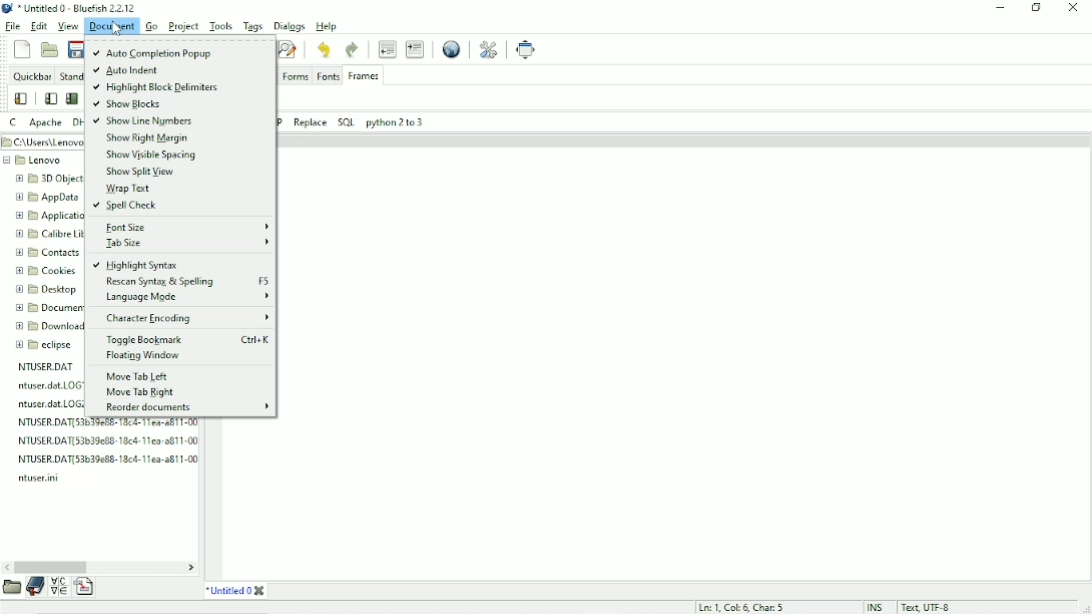  I want to click on Undo, so click(325, 50).